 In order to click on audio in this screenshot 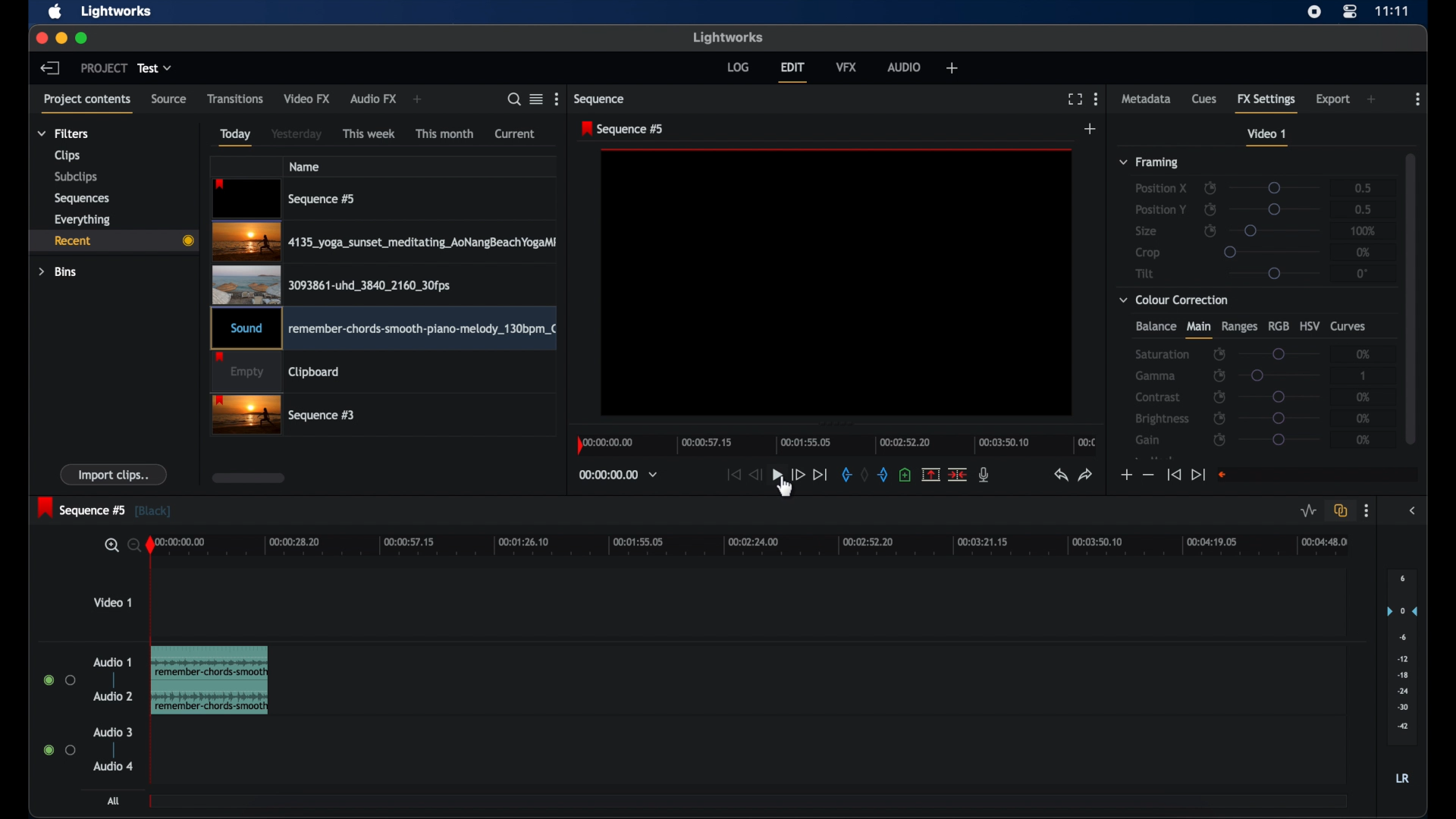, I will do `click(113, 766)`.